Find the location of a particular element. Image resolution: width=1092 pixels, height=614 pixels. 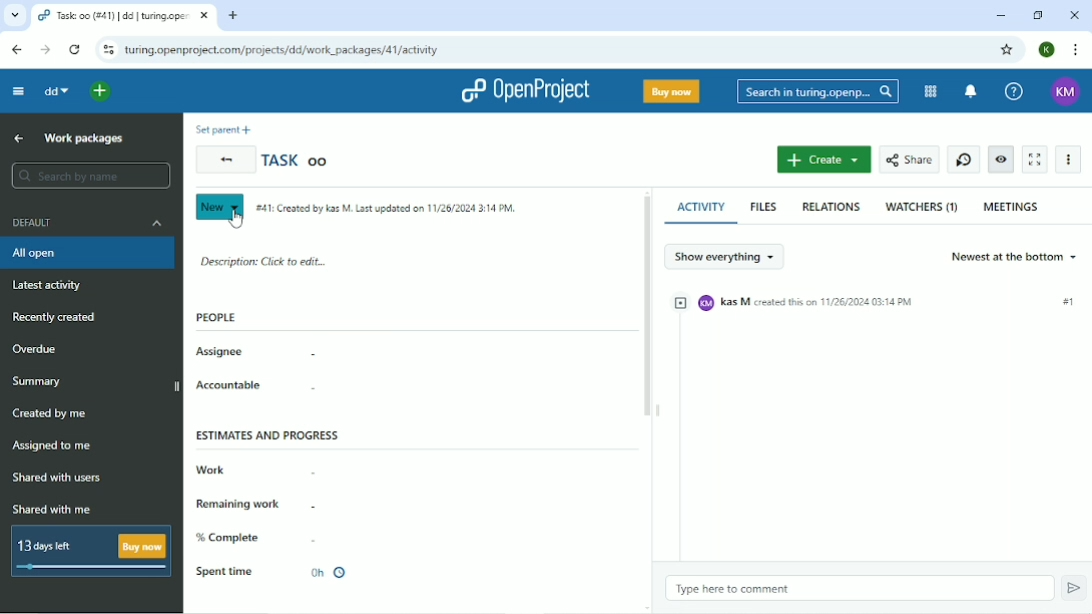

Work packages is located at coordinates (84, 139).